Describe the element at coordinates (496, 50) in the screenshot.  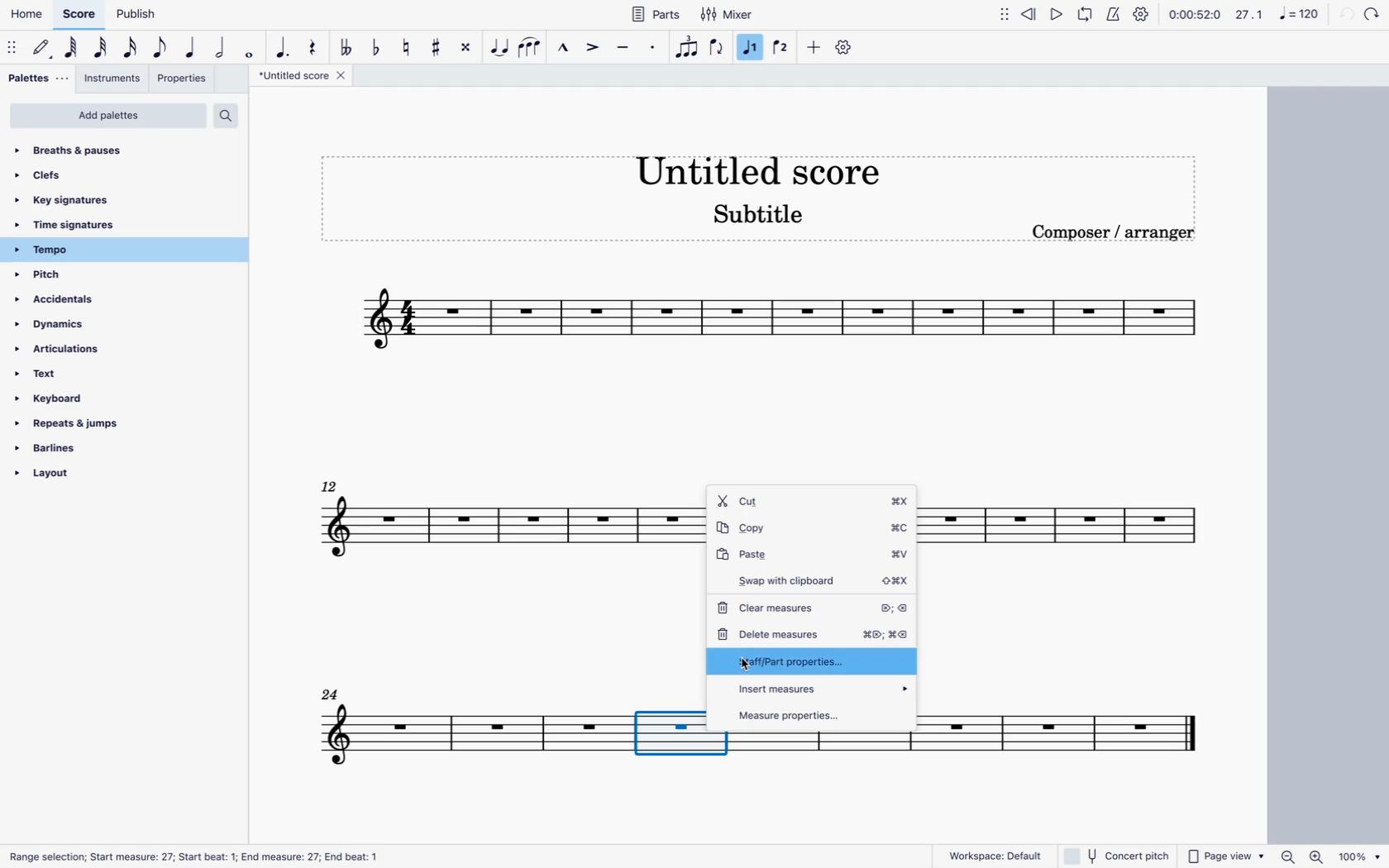
I see `tie` at that location.